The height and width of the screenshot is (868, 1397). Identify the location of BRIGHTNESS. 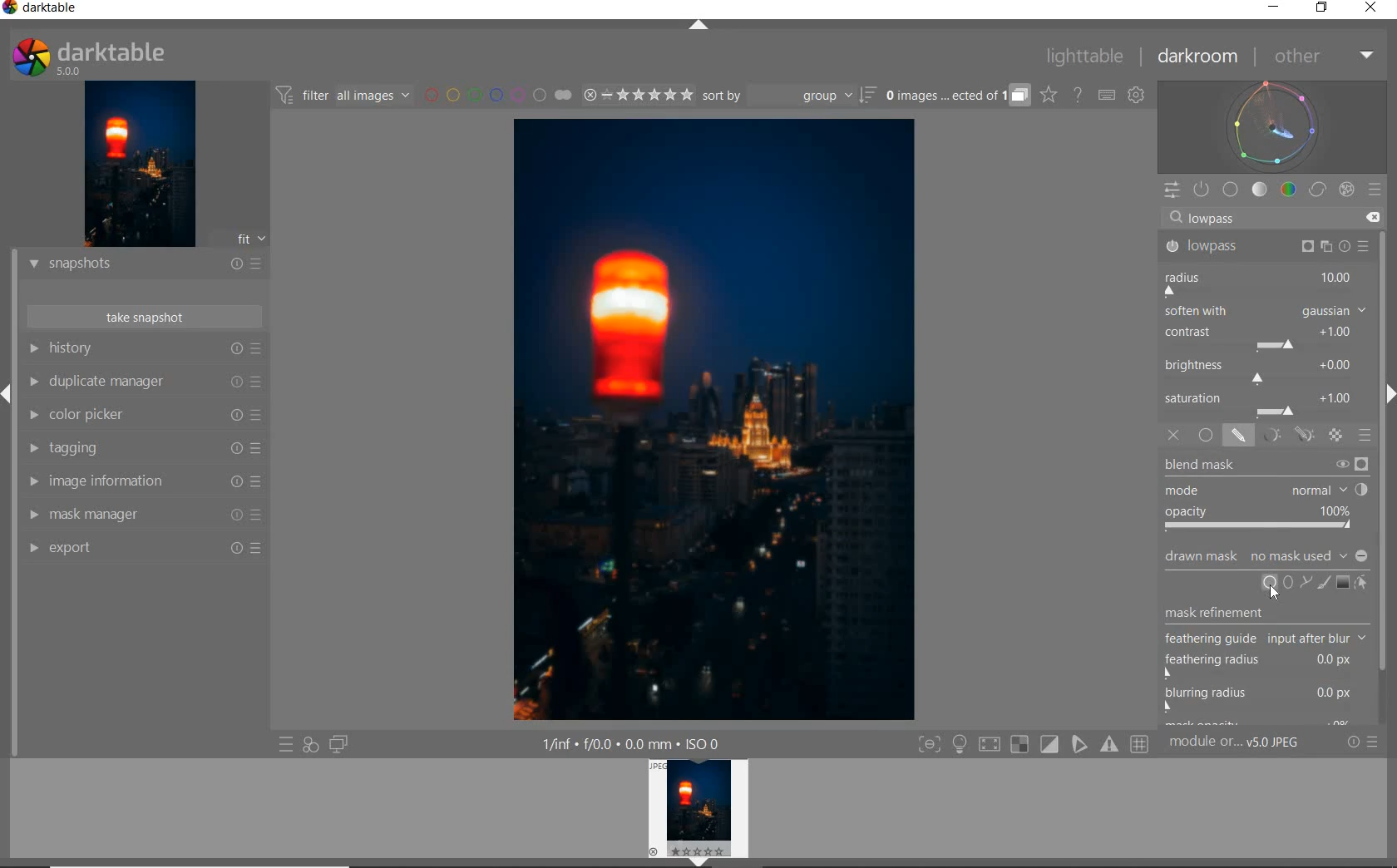
(1265, 370).